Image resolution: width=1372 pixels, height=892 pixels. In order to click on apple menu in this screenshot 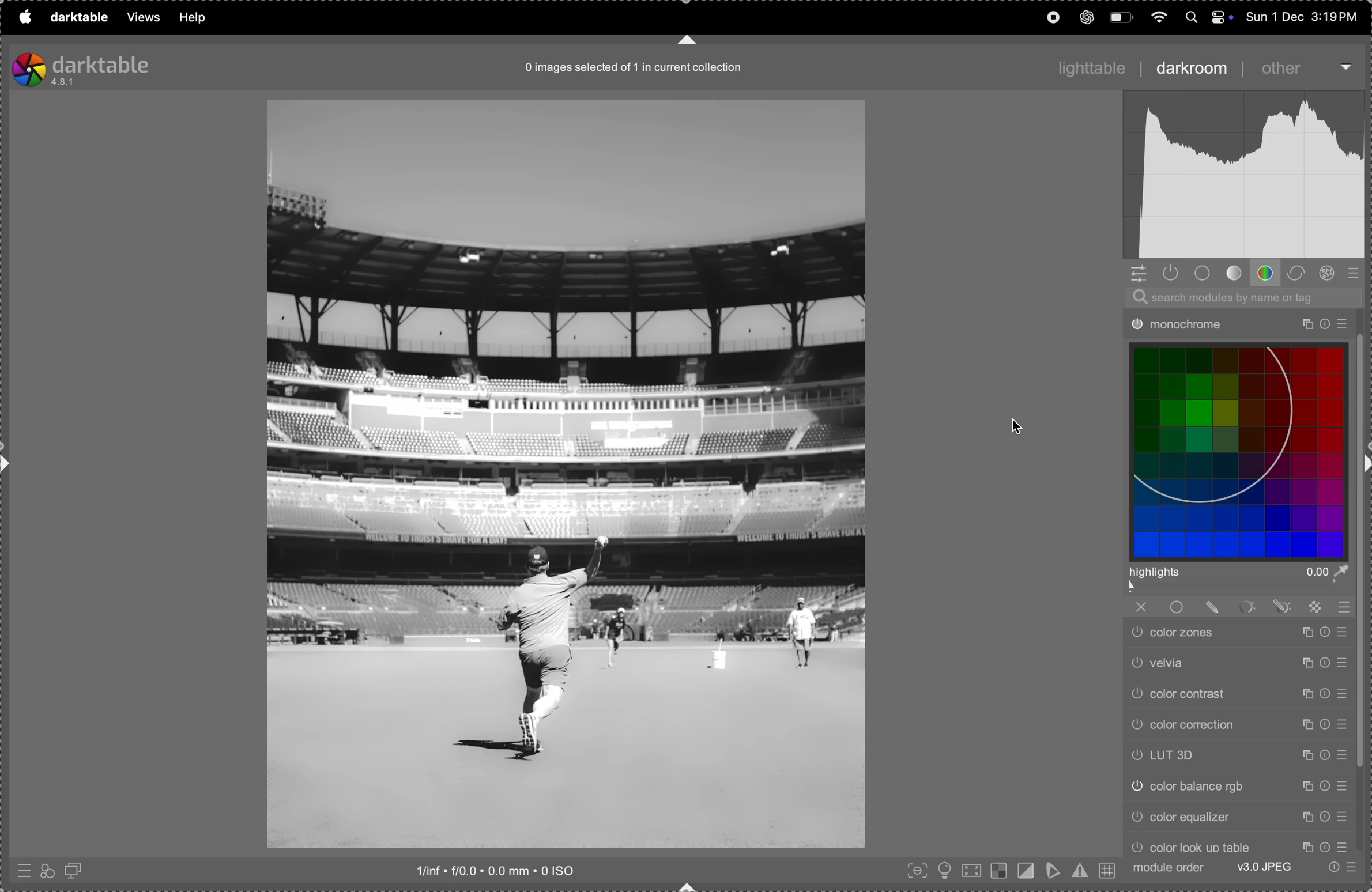, I will do `click(24, 17)`.